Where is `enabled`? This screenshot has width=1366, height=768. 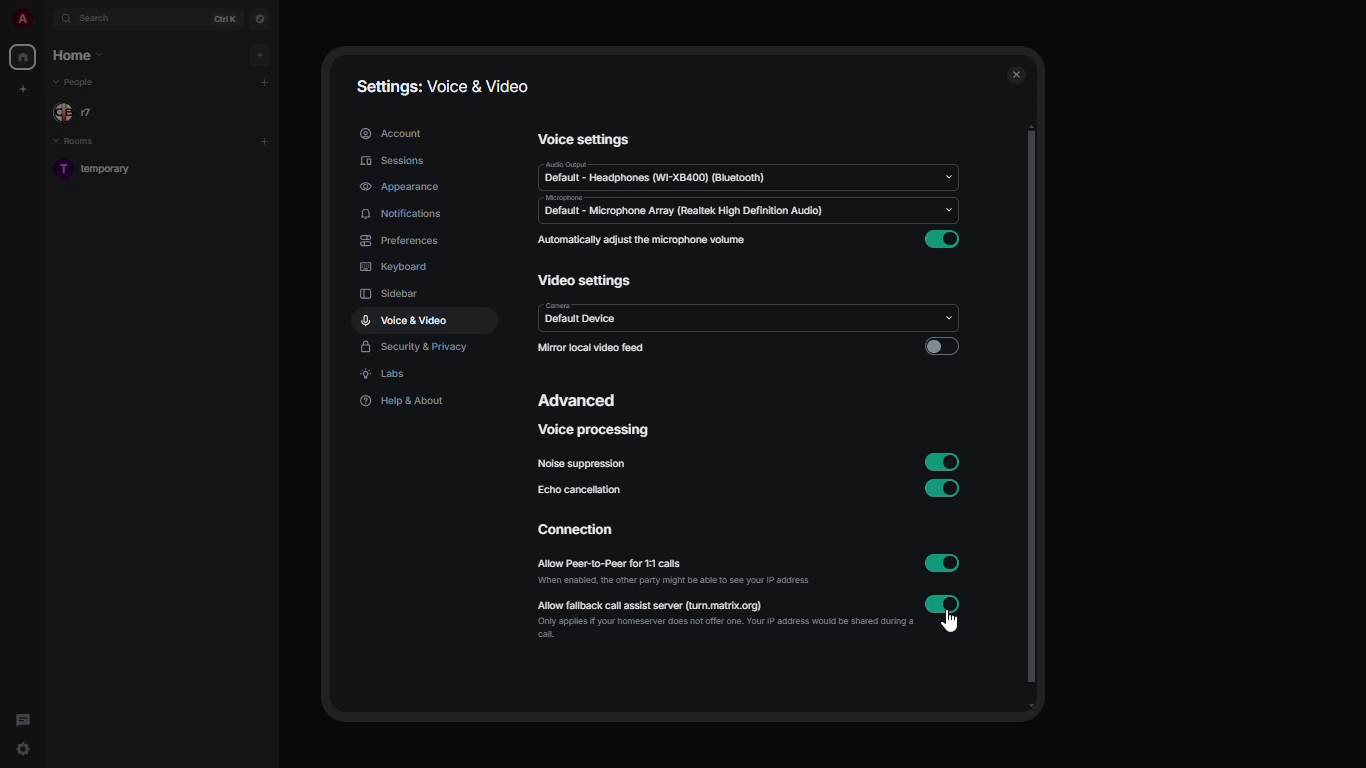
enabled is located at coordinates (943, 563).